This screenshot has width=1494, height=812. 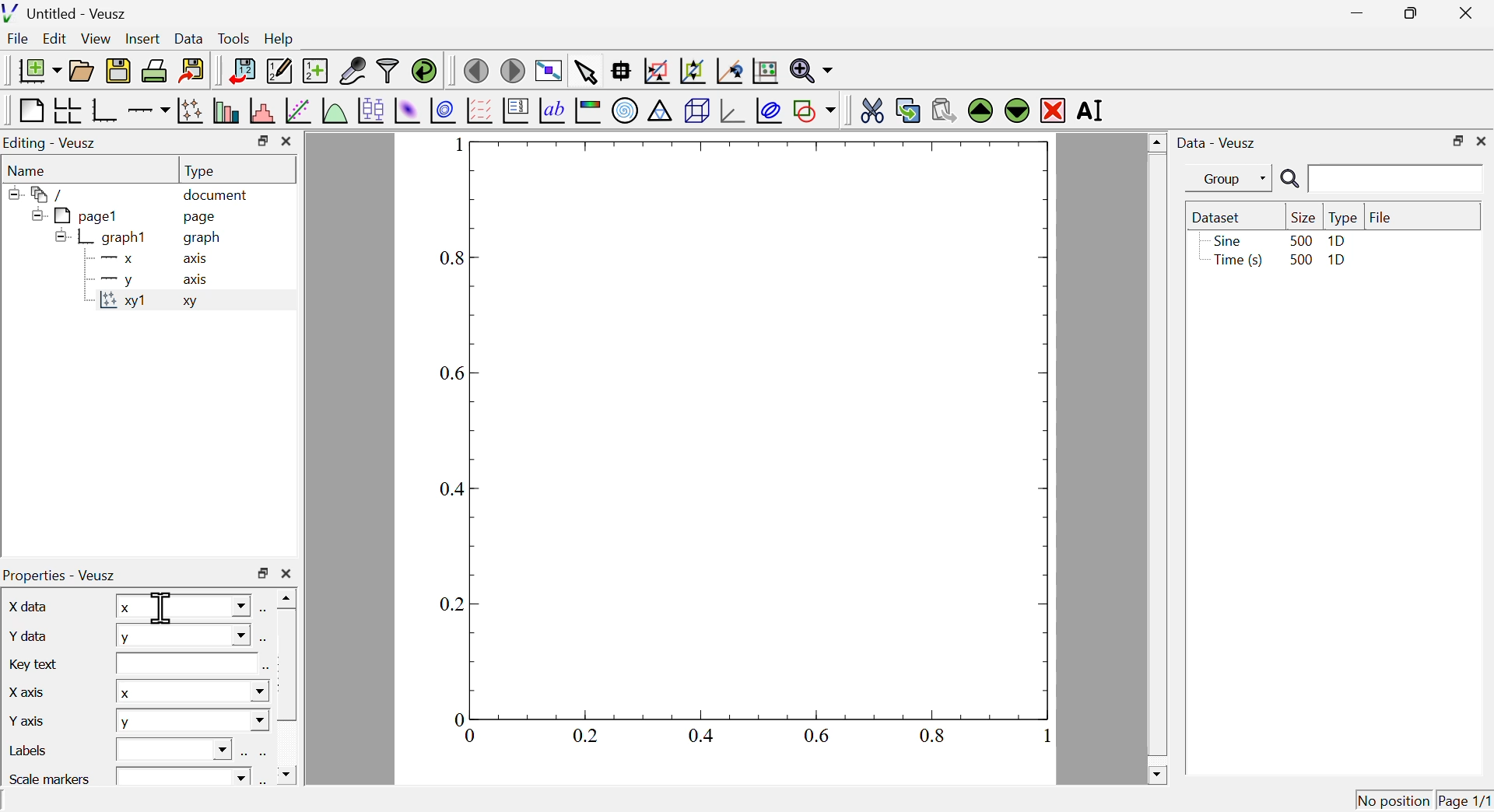 I want to click on Insert, so click(x=141, y=37).